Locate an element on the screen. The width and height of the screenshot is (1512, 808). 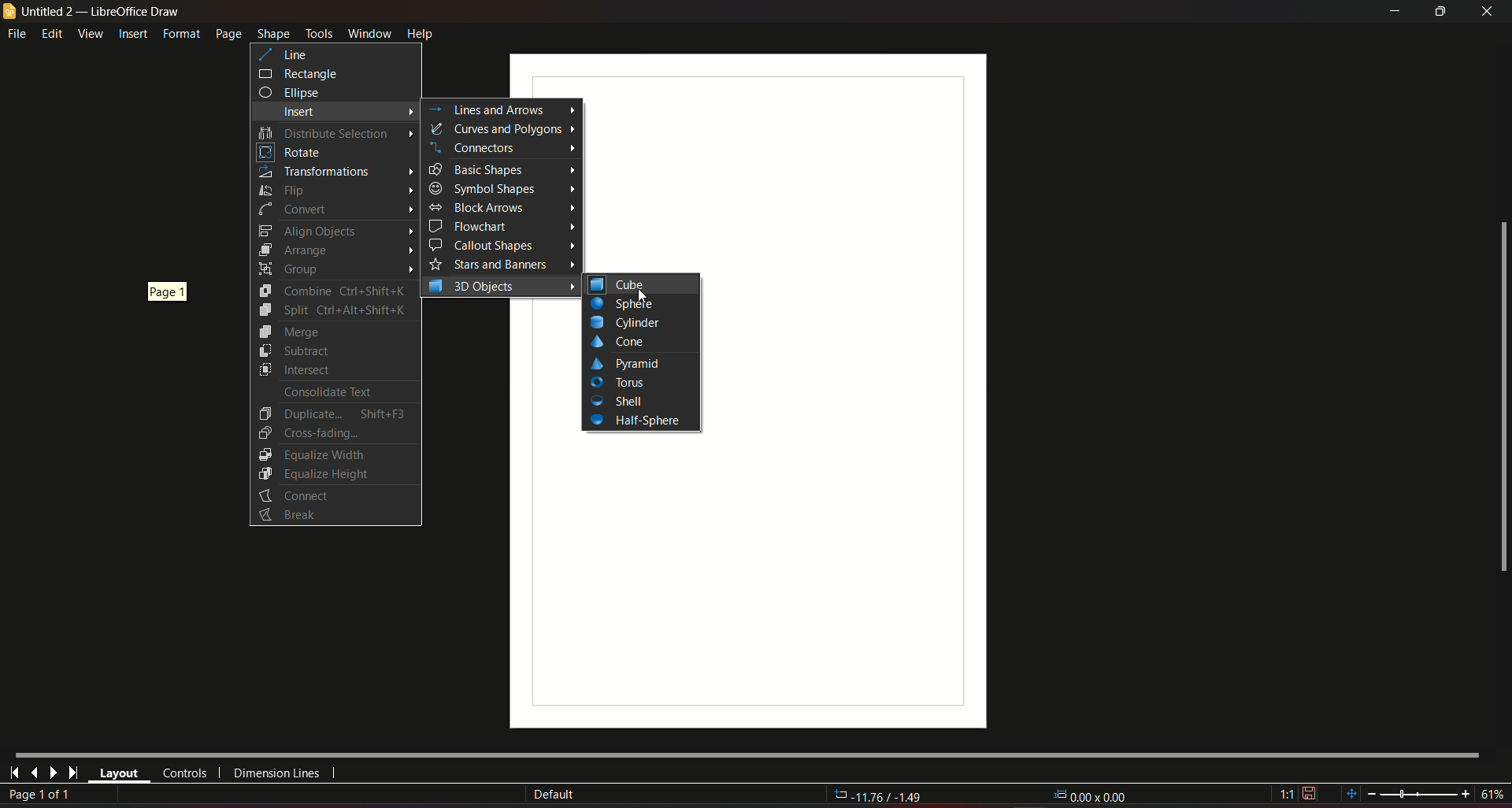
Arrow is located at coordinates (408, 172).